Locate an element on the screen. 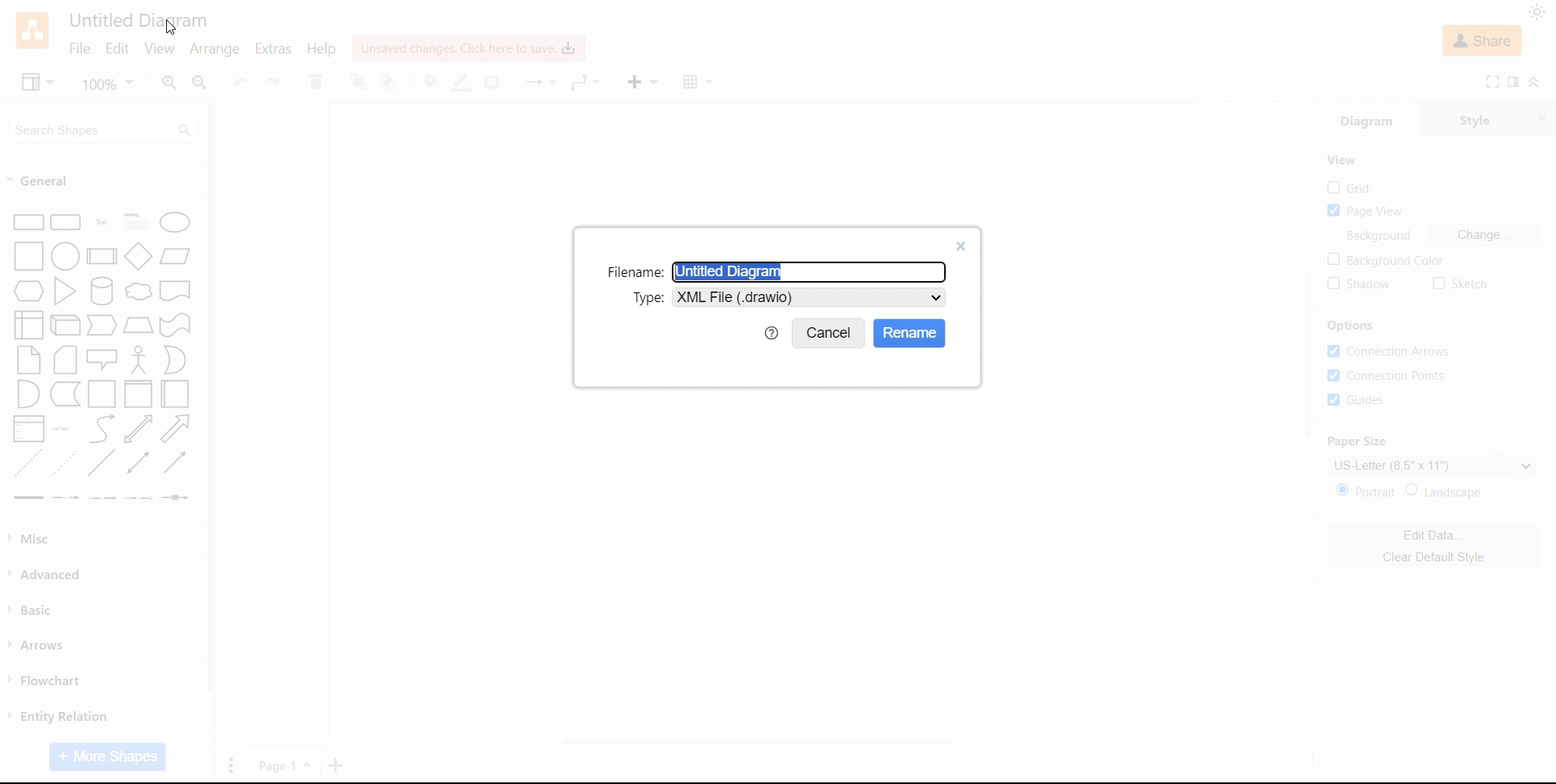  guides  is located at coordinates (1356, 399).